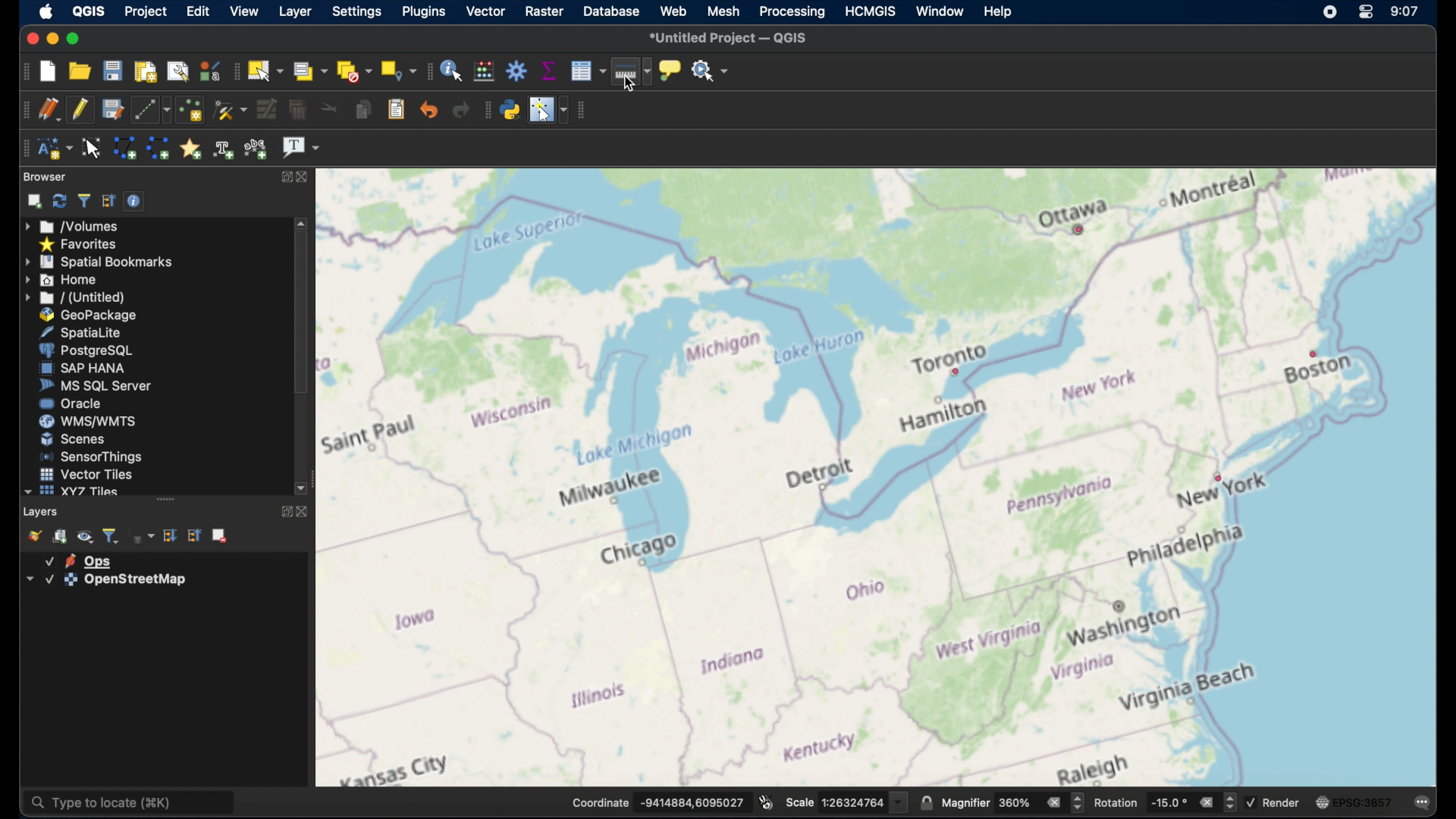 This screenshot has width=1456, height=819. Describe the element at coordinates (31, 36) in the screenshot. I see `close` at that location.